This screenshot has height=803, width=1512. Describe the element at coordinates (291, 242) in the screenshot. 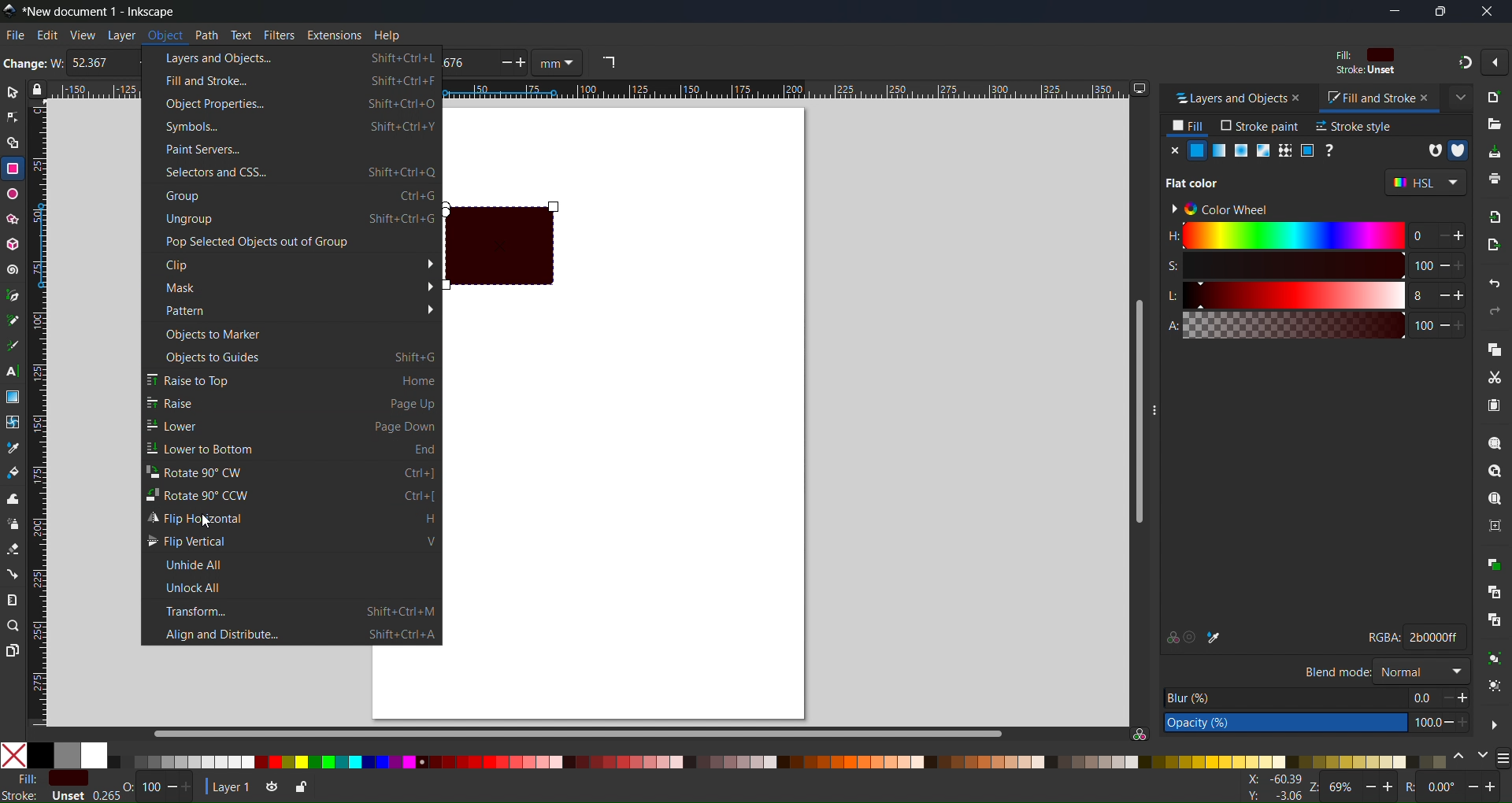

I see `Pop selected Objects out of group` at that location.